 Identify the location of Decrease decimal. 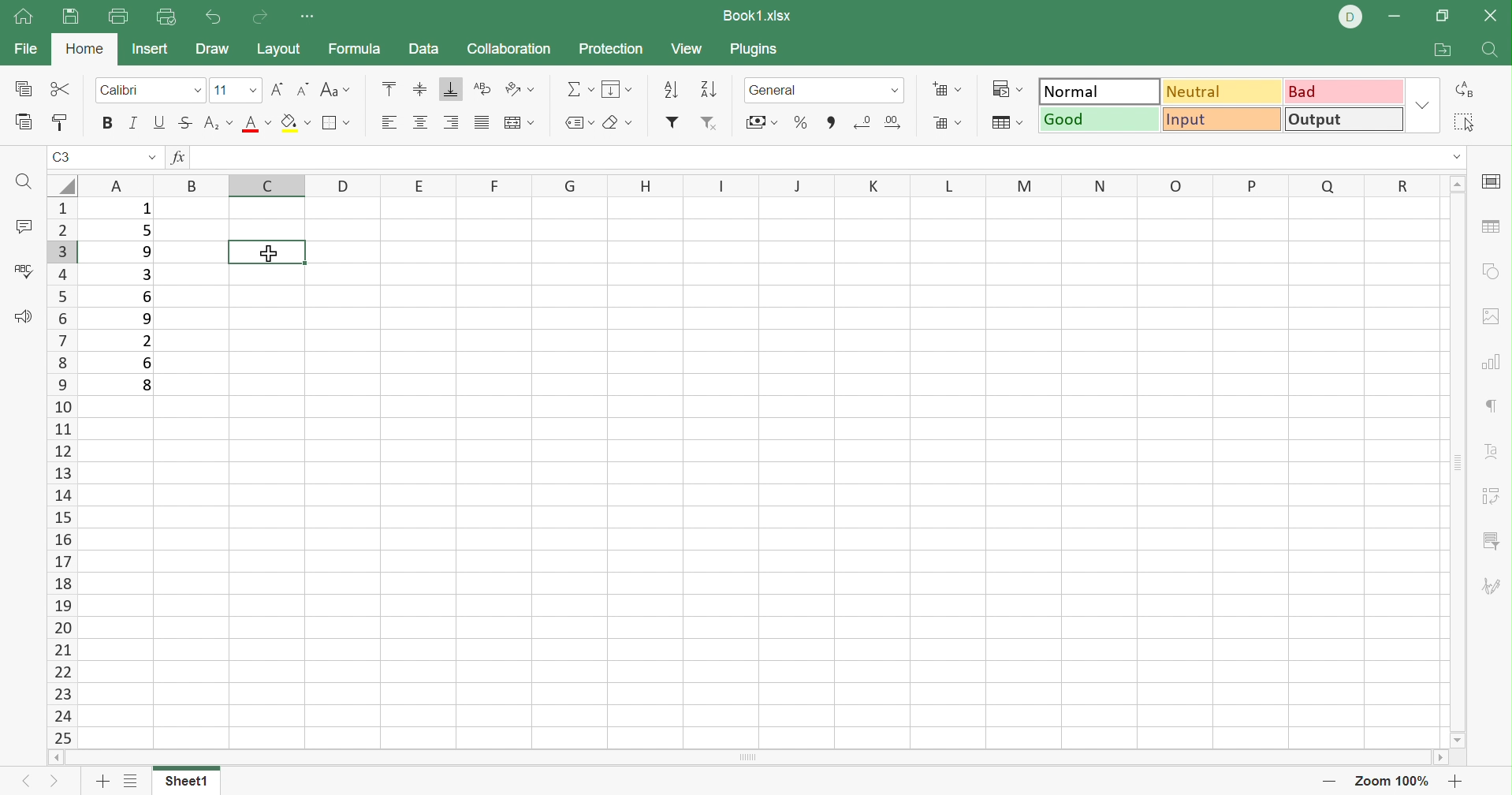
(863, 118).